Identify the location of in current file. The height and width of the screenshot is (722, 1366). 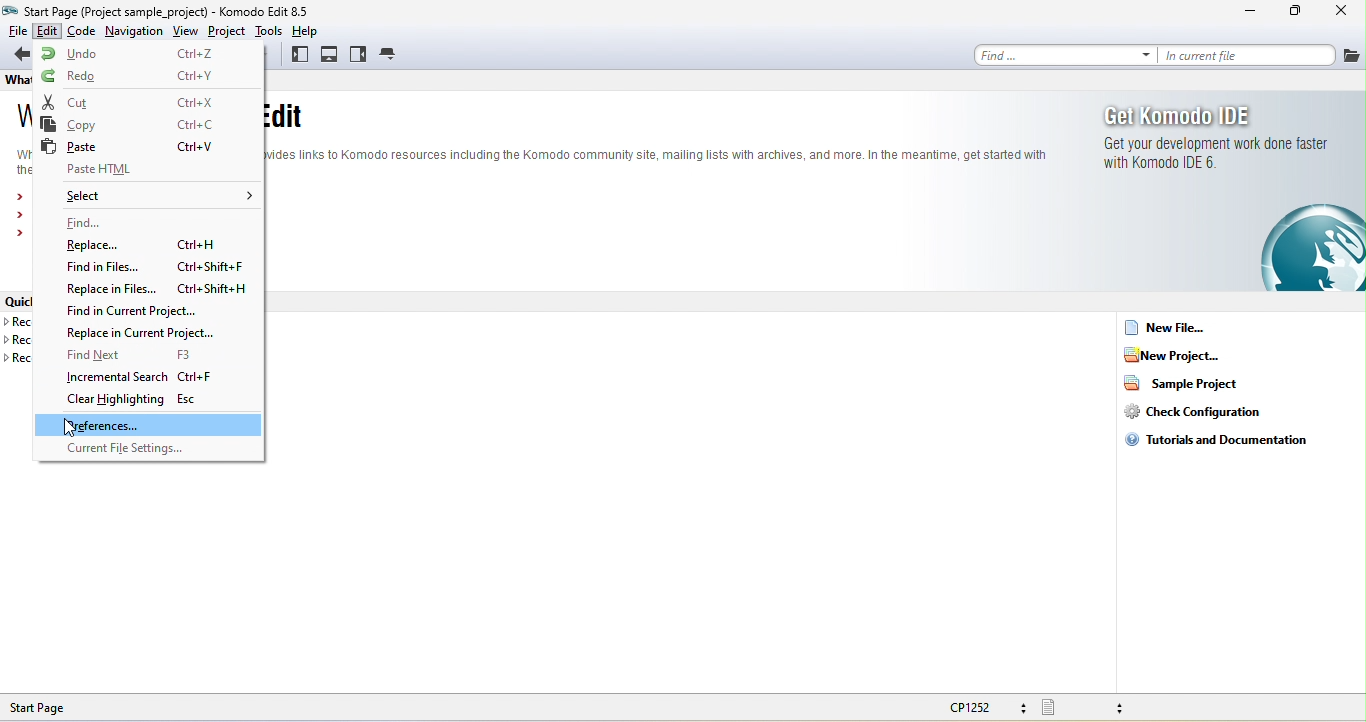
(1251, 53).